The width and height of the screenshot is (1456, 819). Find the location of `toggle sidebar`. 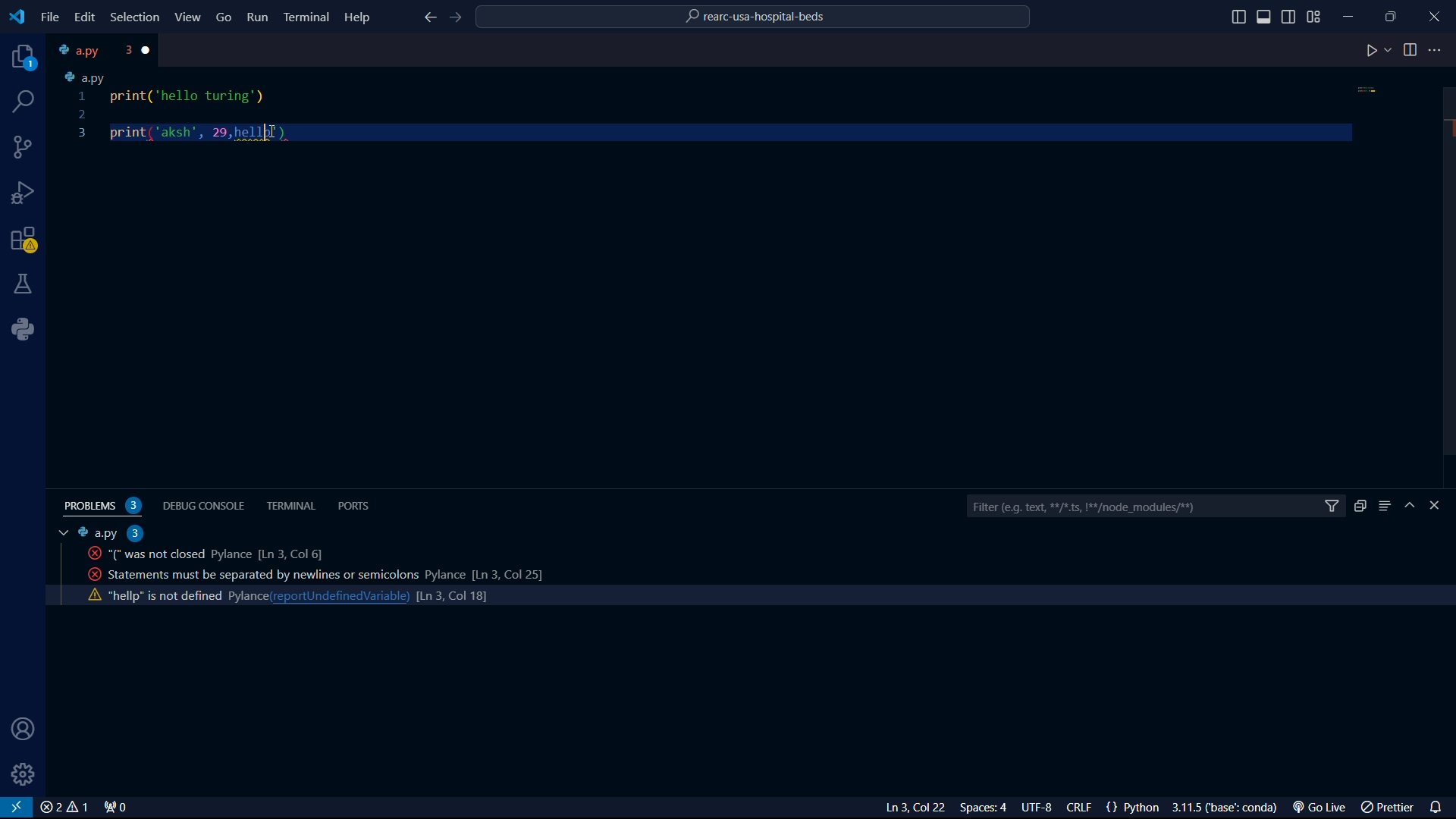

toggle sidebar is located at coordinates (1290, 15).